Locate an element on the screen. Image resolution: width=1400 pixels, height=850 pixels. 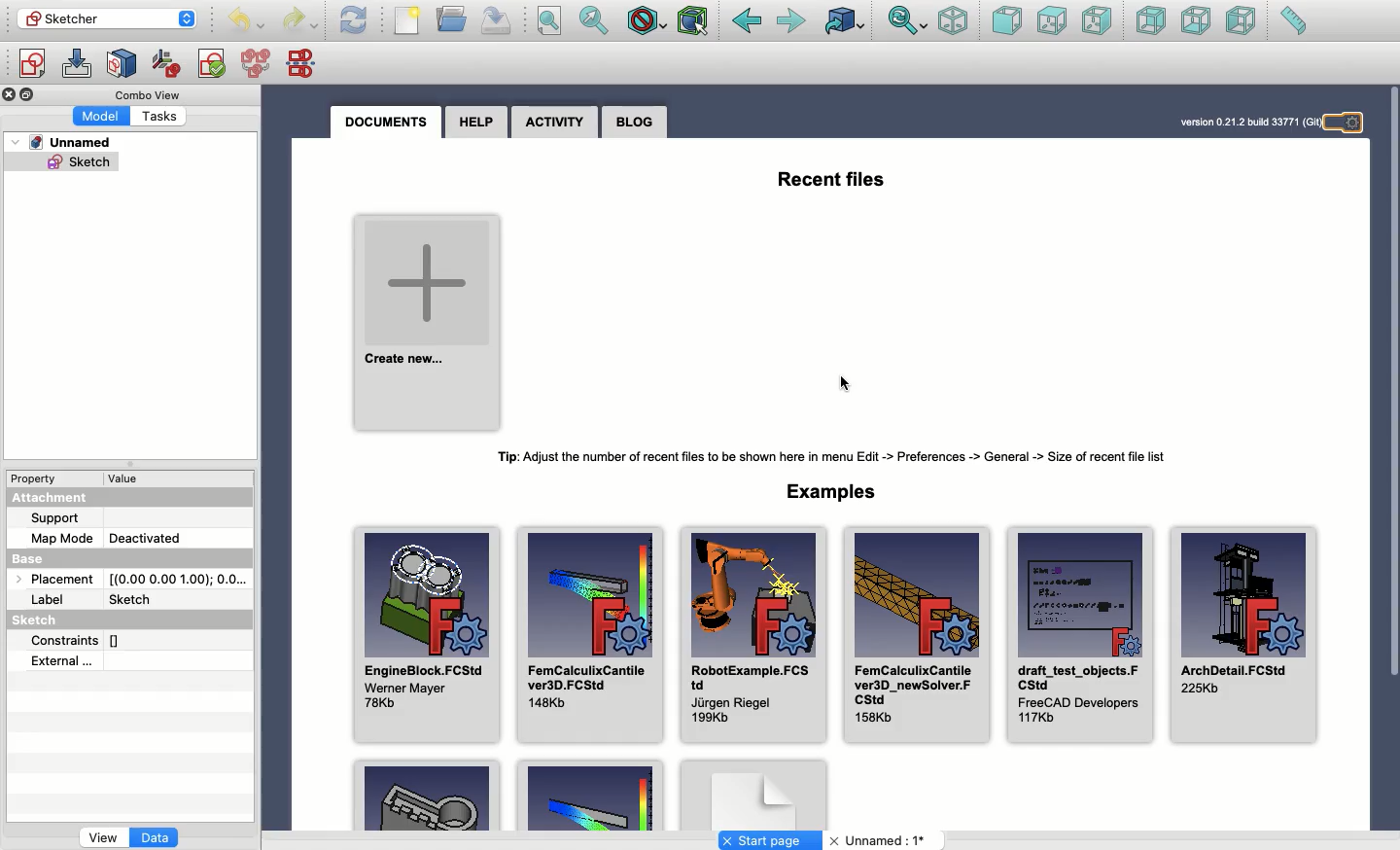
Done is located at coordinates (845, 380).